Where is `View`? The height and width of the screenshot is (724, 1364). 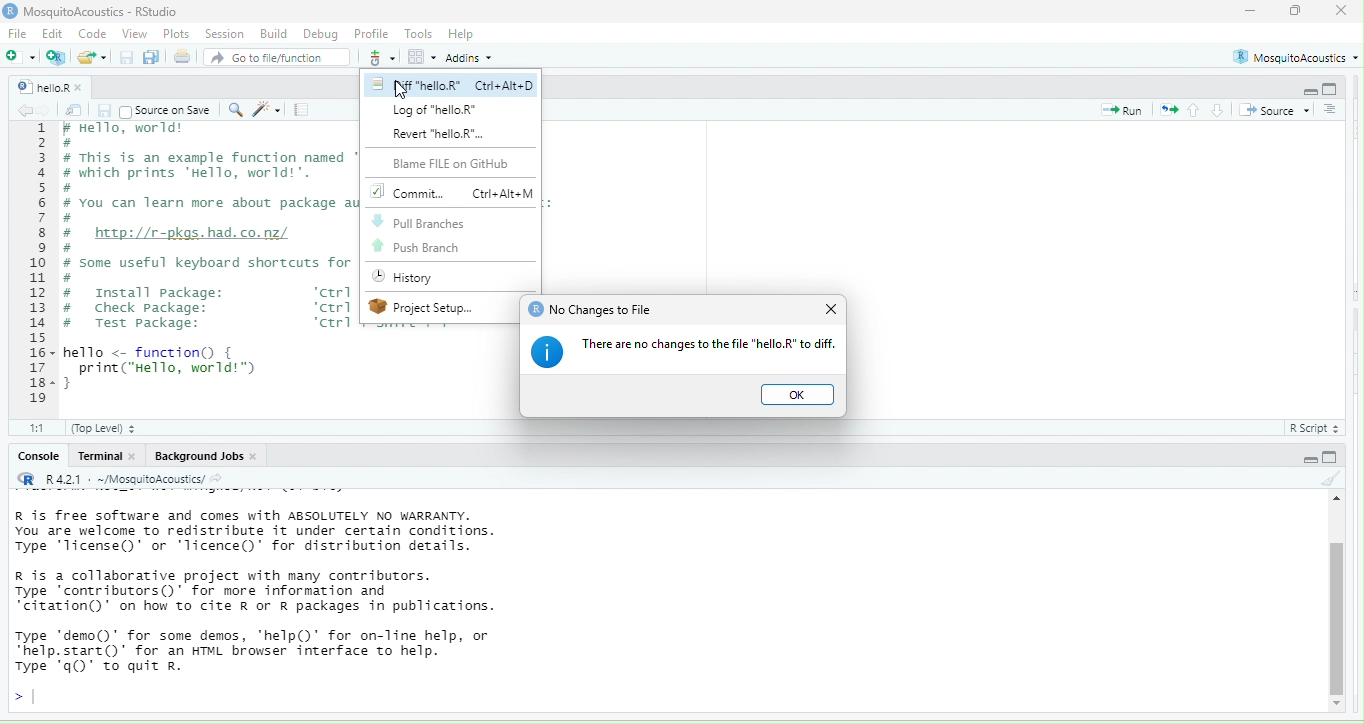 View is located at coordinates (130, 34).